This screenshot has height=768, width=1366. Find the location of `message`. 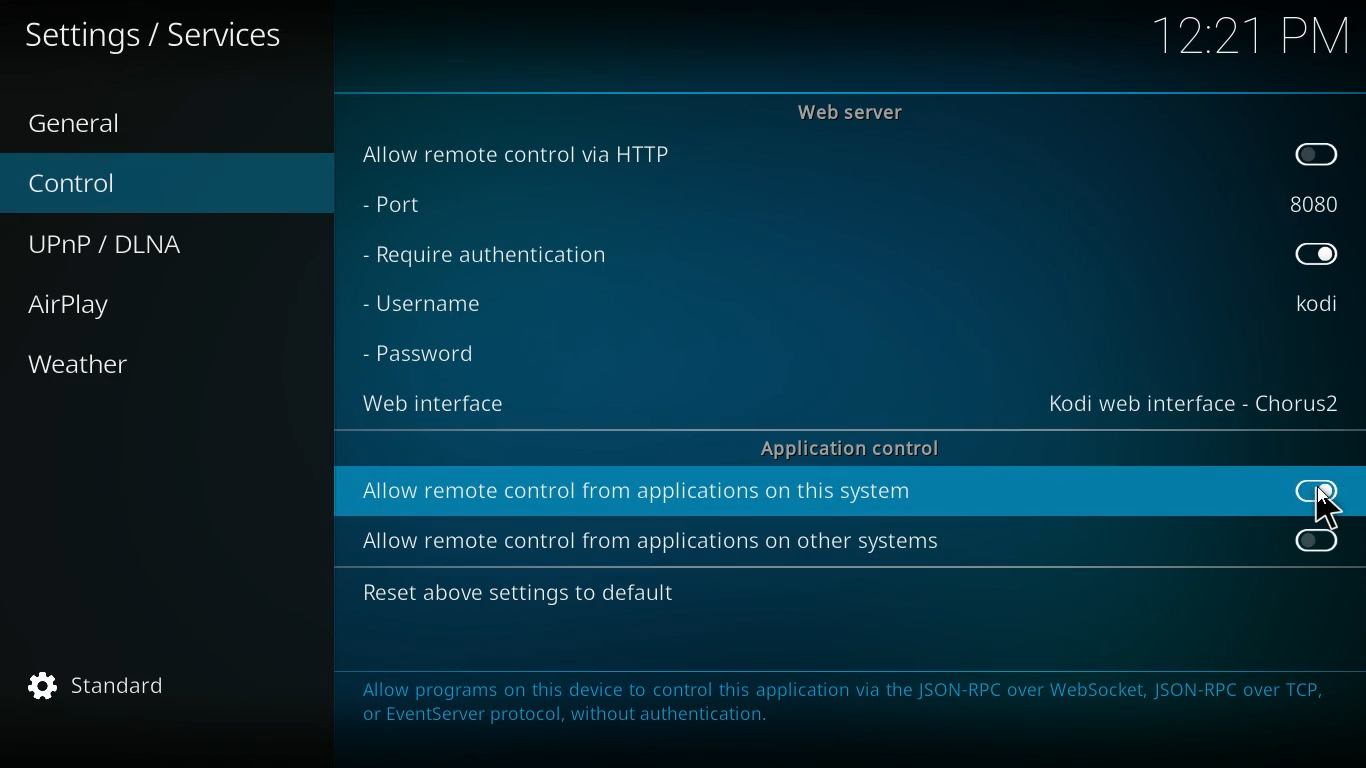

message is located at coordinates (844, 709).